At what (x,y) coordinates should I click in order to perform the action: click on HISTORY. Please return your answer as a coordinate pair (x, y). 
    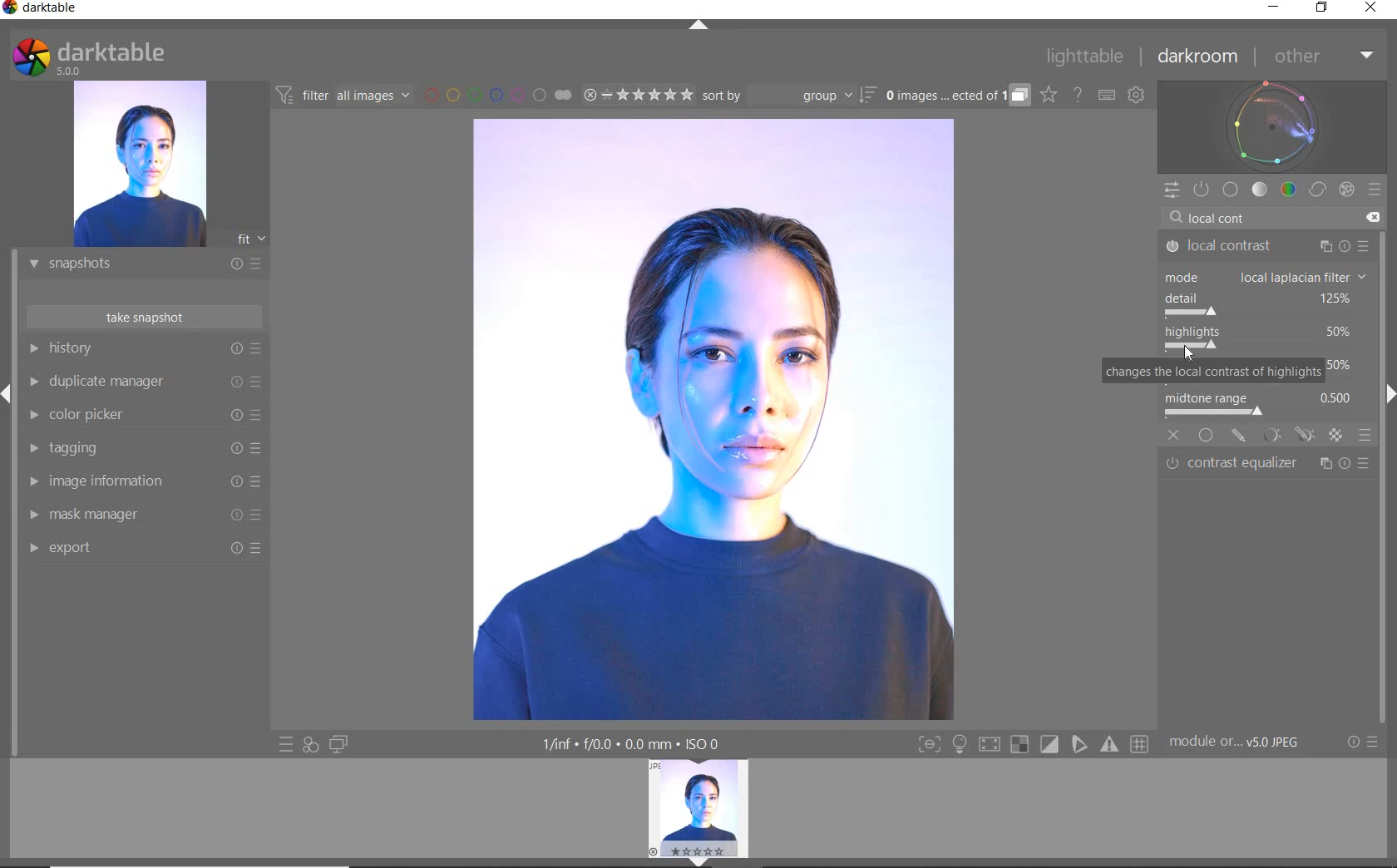
    Looking at the image, I should click on (146, 352).